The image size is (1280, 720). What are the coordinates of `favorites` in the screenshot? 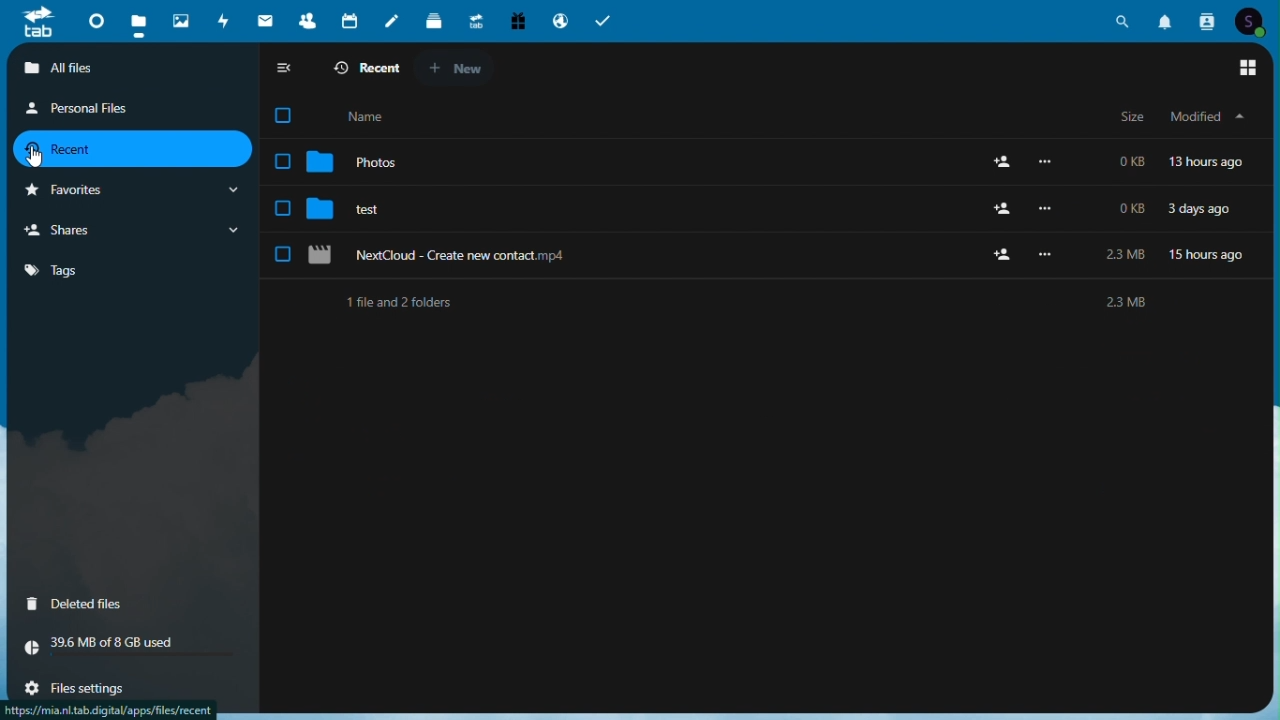 It's located at (129, 190).